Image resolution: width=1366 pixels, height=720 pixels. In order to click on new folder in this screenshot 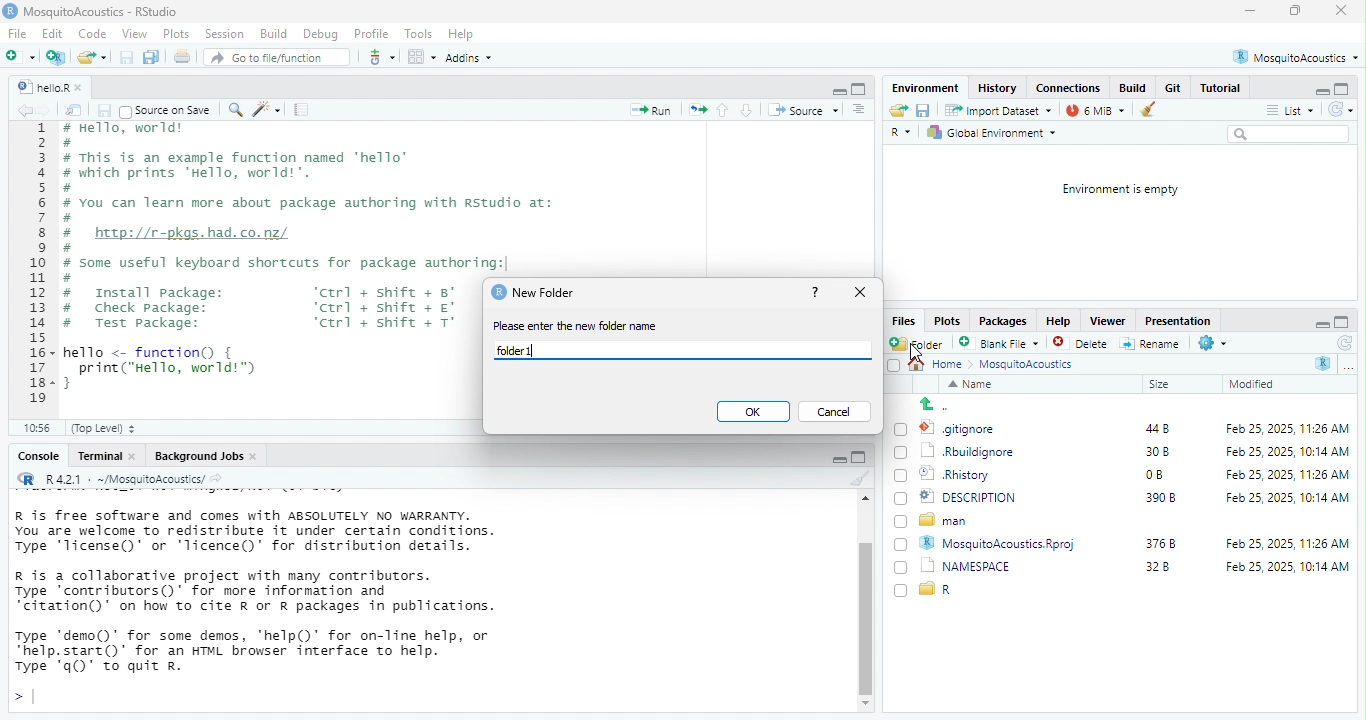, I will do `click(920, 343)`.